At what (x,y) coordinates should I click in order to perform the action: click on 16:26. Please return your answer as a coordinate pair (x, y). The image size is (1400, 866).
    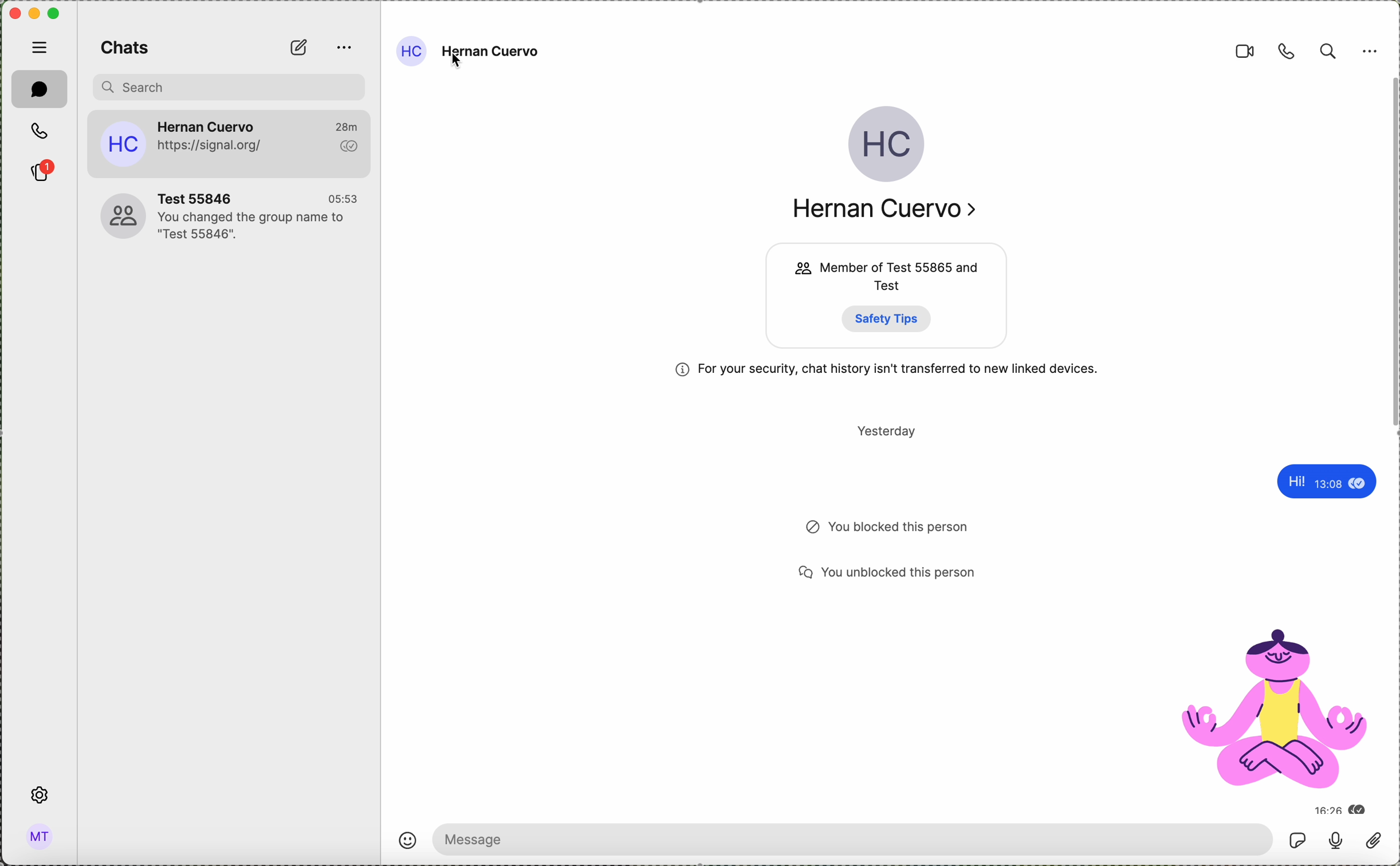
    Looking at the image, I should click on (1323, 809).